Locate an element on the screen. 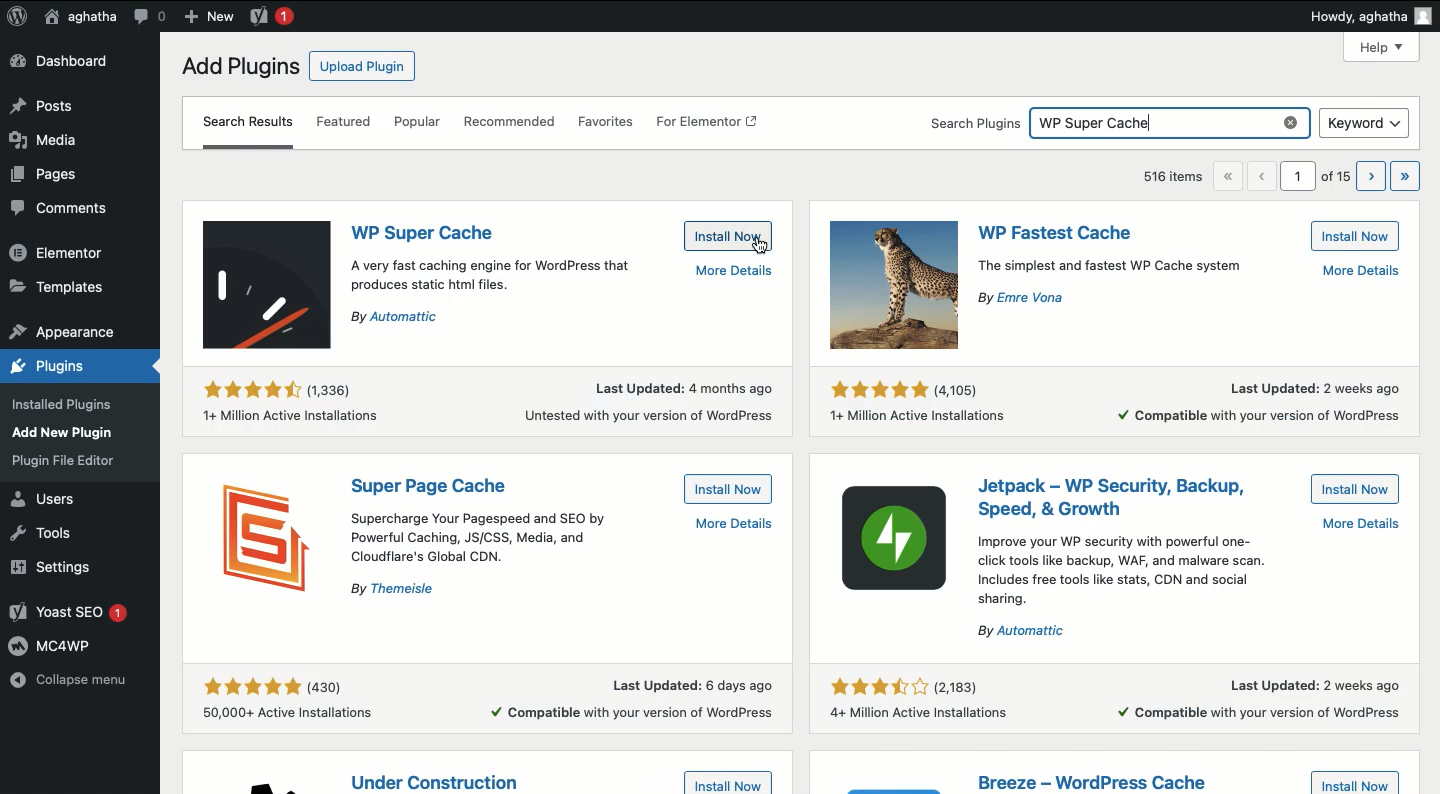 The image size is (1440, 794). Plugin is located at coordinates (1111, 496).